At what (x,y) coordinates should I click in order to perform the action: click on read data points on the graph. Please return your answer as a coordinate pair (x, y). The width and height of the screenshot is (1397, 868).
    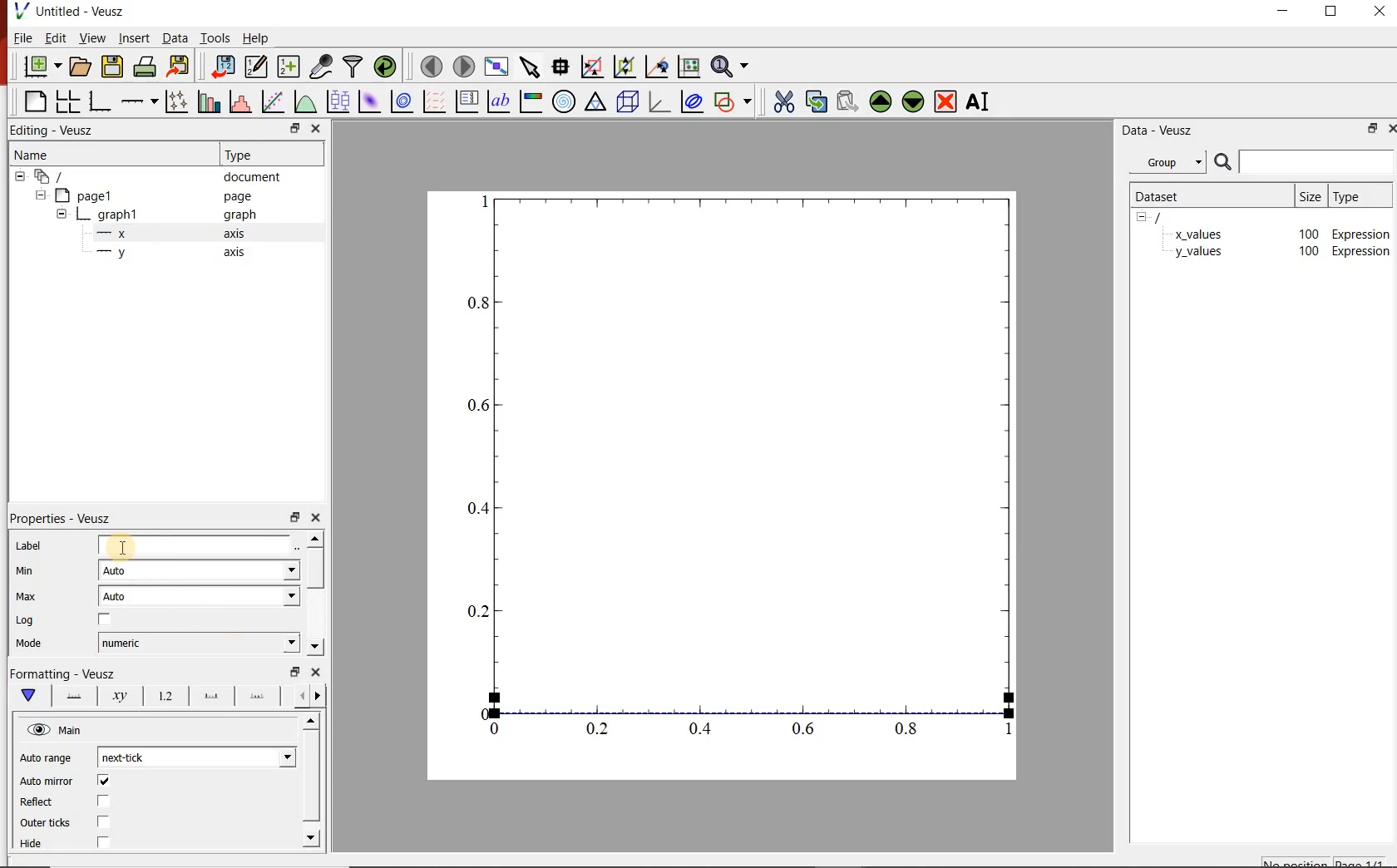
    Looking at the image, I should click on (561, 66).